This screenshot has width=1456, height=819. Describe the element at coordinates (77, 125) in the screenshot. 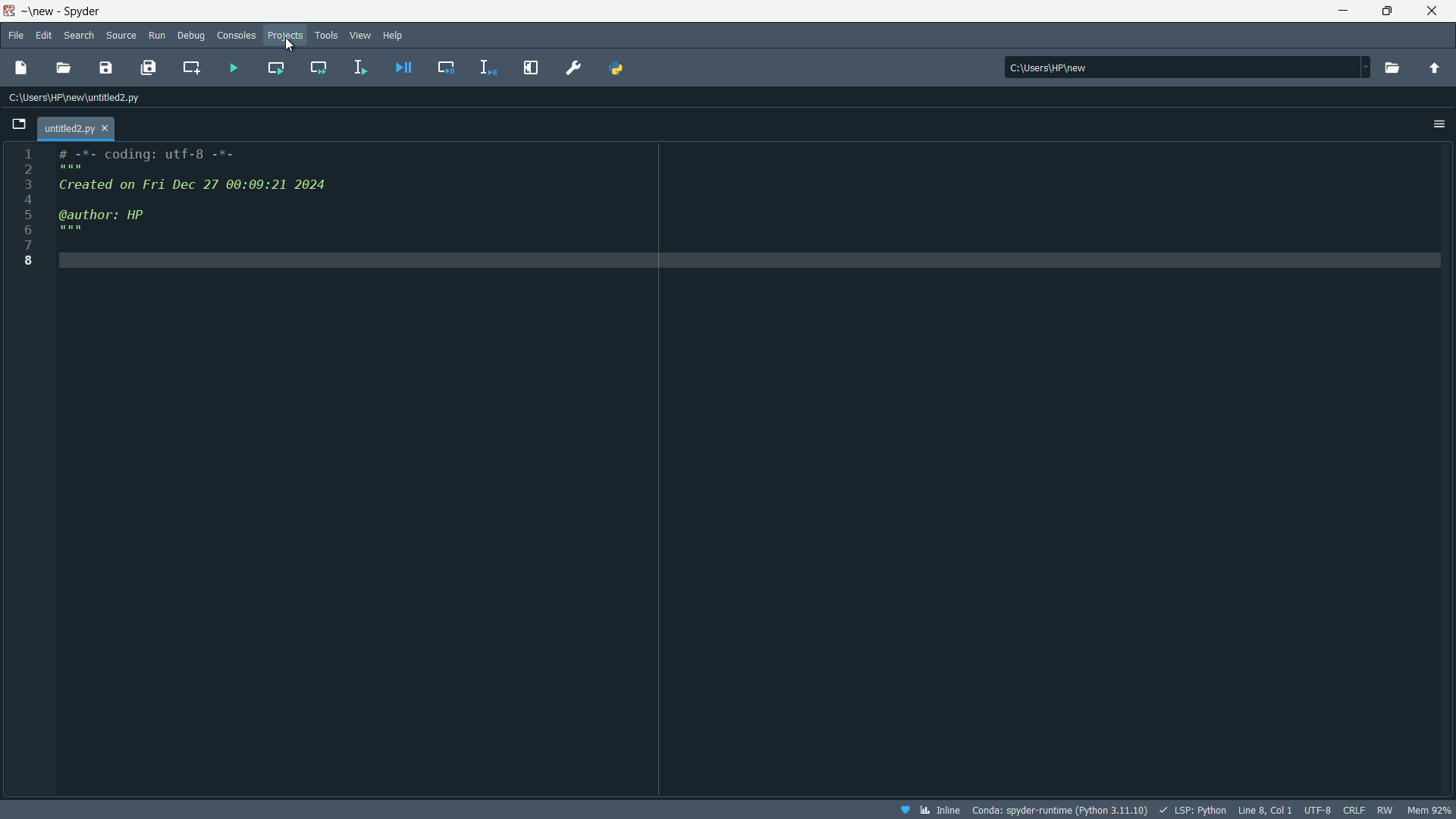

I see `python file` at that location.